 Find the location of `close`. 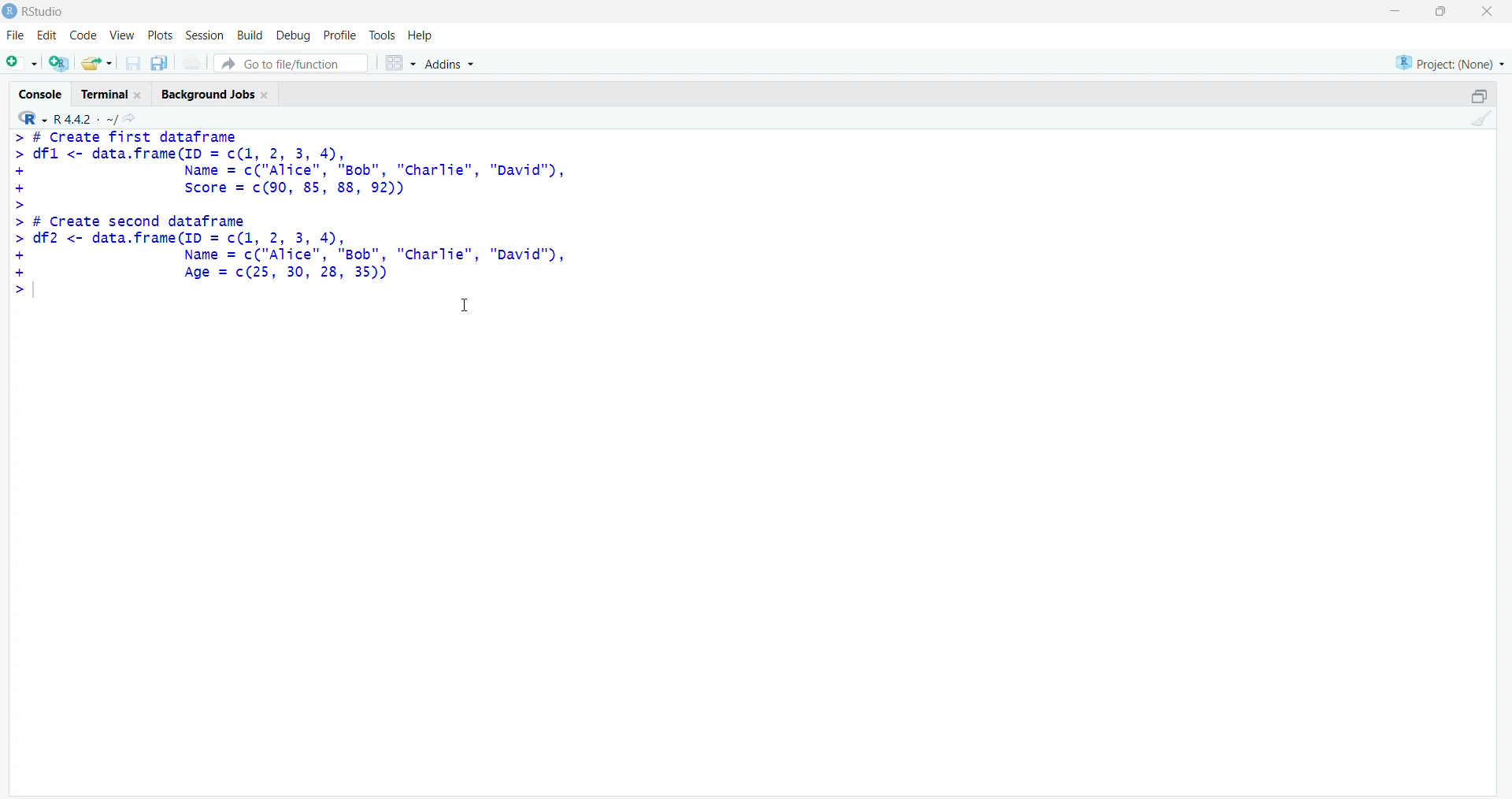

close is located at coordinates (139, 95).